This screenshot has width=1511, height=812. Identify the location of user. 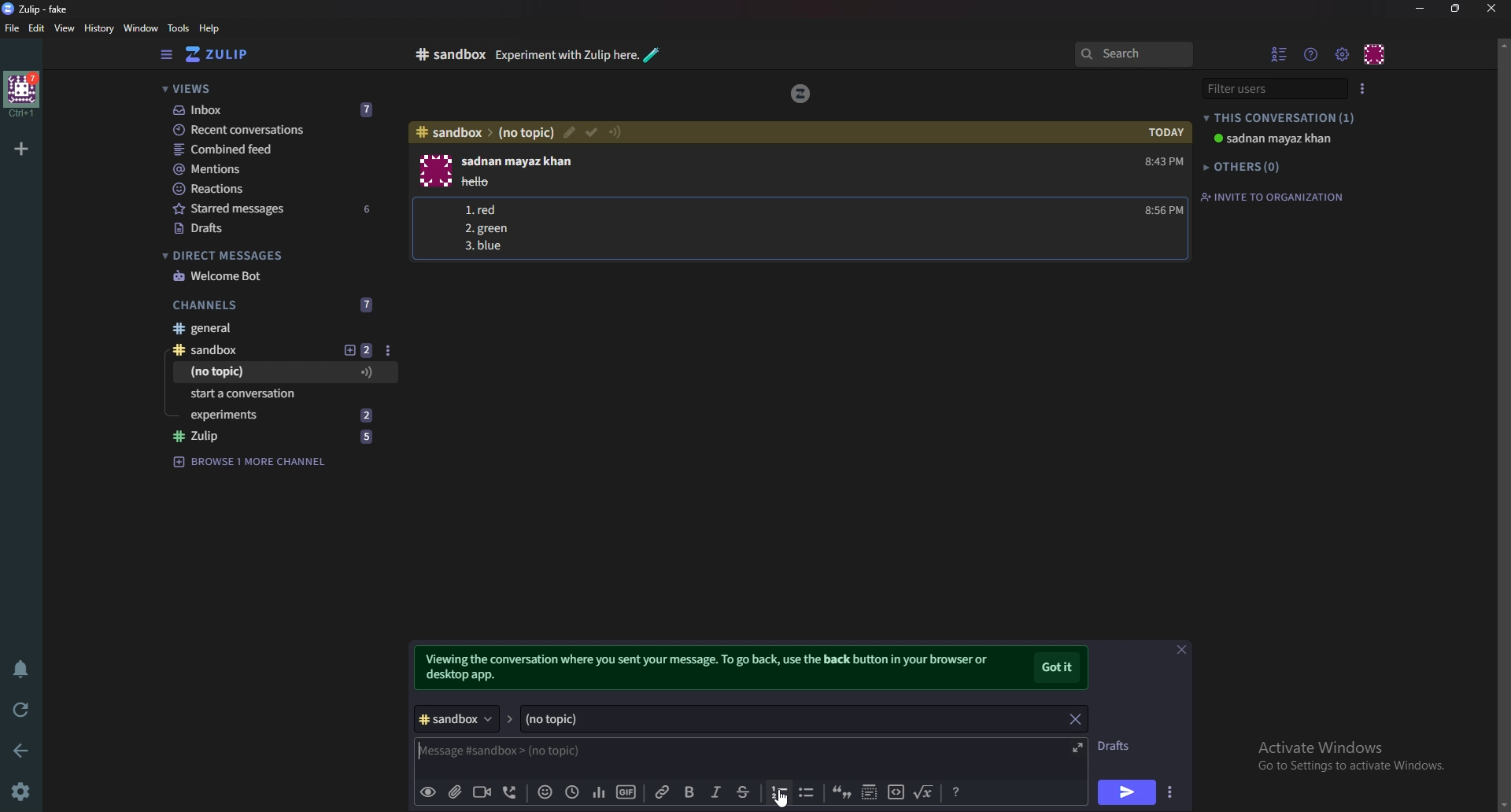
(1272, 138).